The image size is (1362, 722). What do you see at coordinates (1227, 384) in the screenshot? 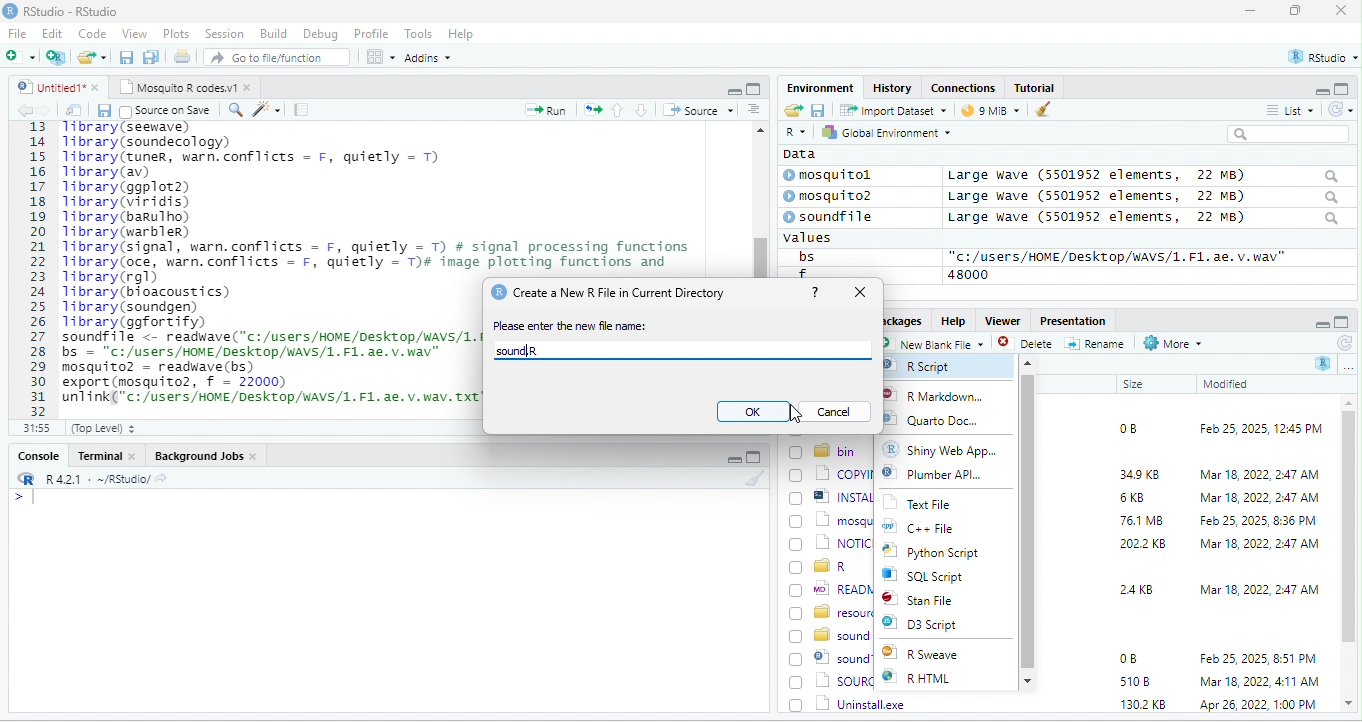
I see `Modified` at bounding box center [1227, 384].